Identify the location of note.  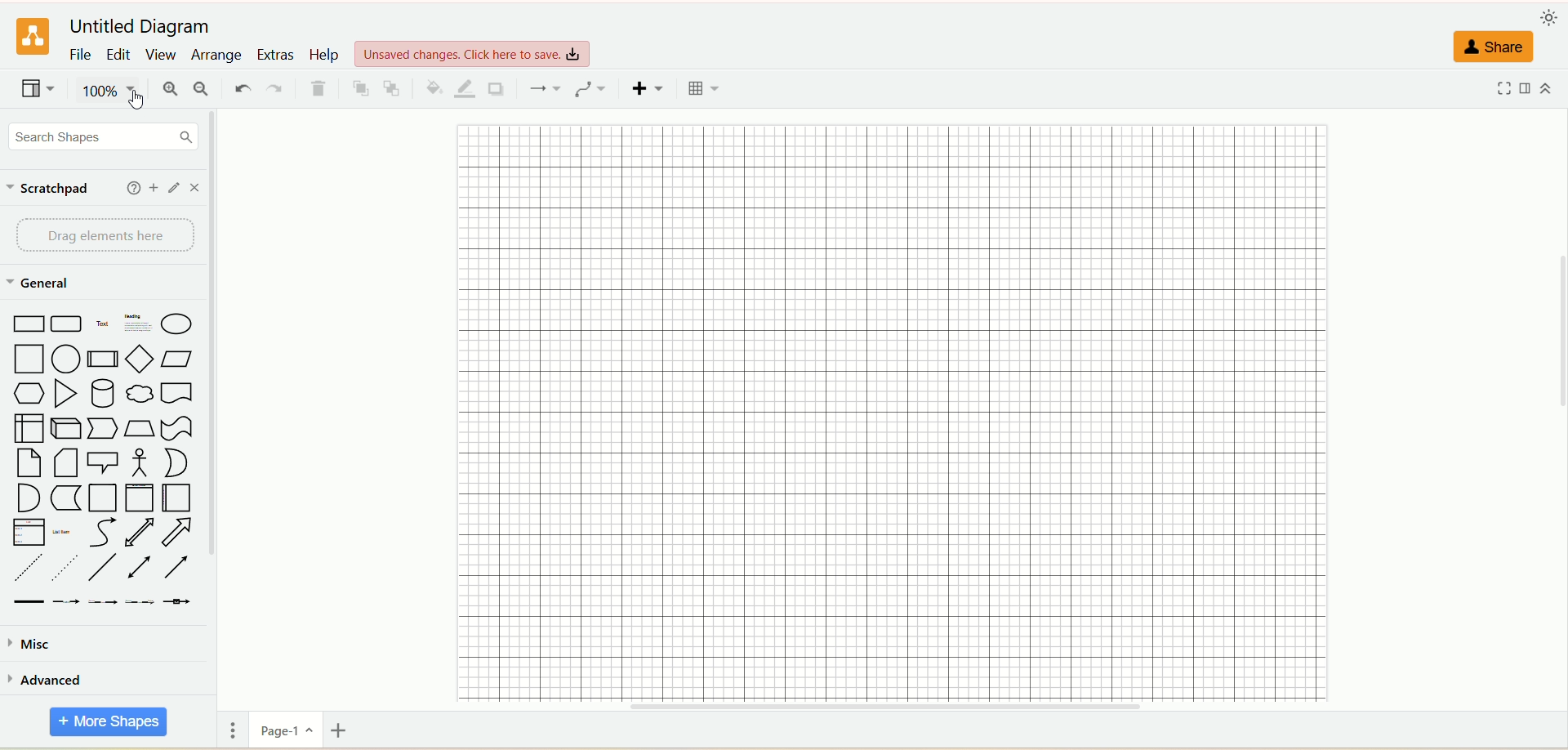
(26, 463).